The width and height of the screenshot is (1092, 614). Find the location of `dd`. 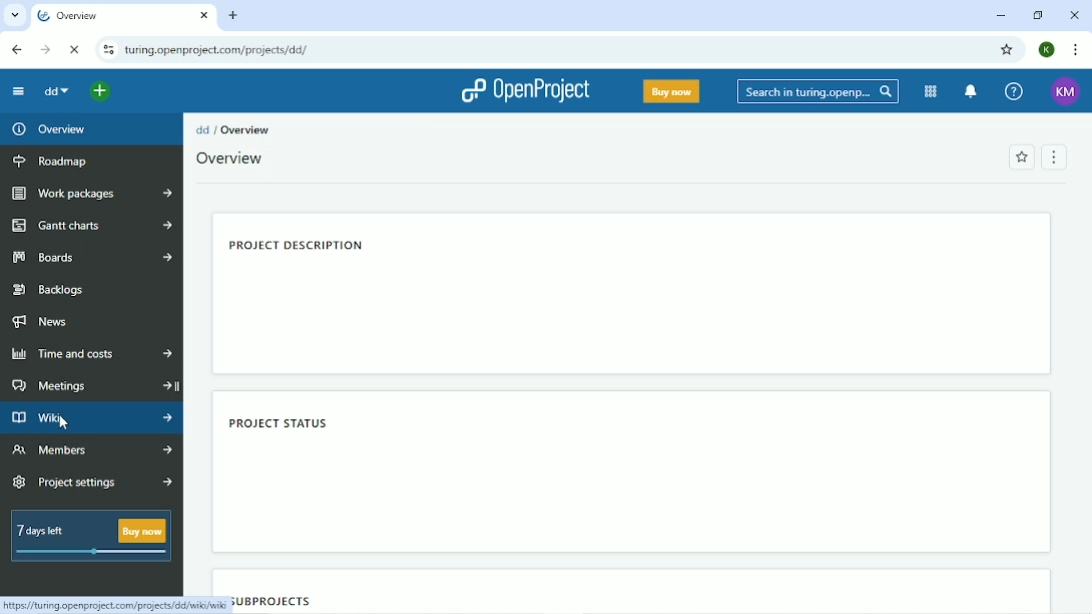

dd is located at coordinates (203, 129).